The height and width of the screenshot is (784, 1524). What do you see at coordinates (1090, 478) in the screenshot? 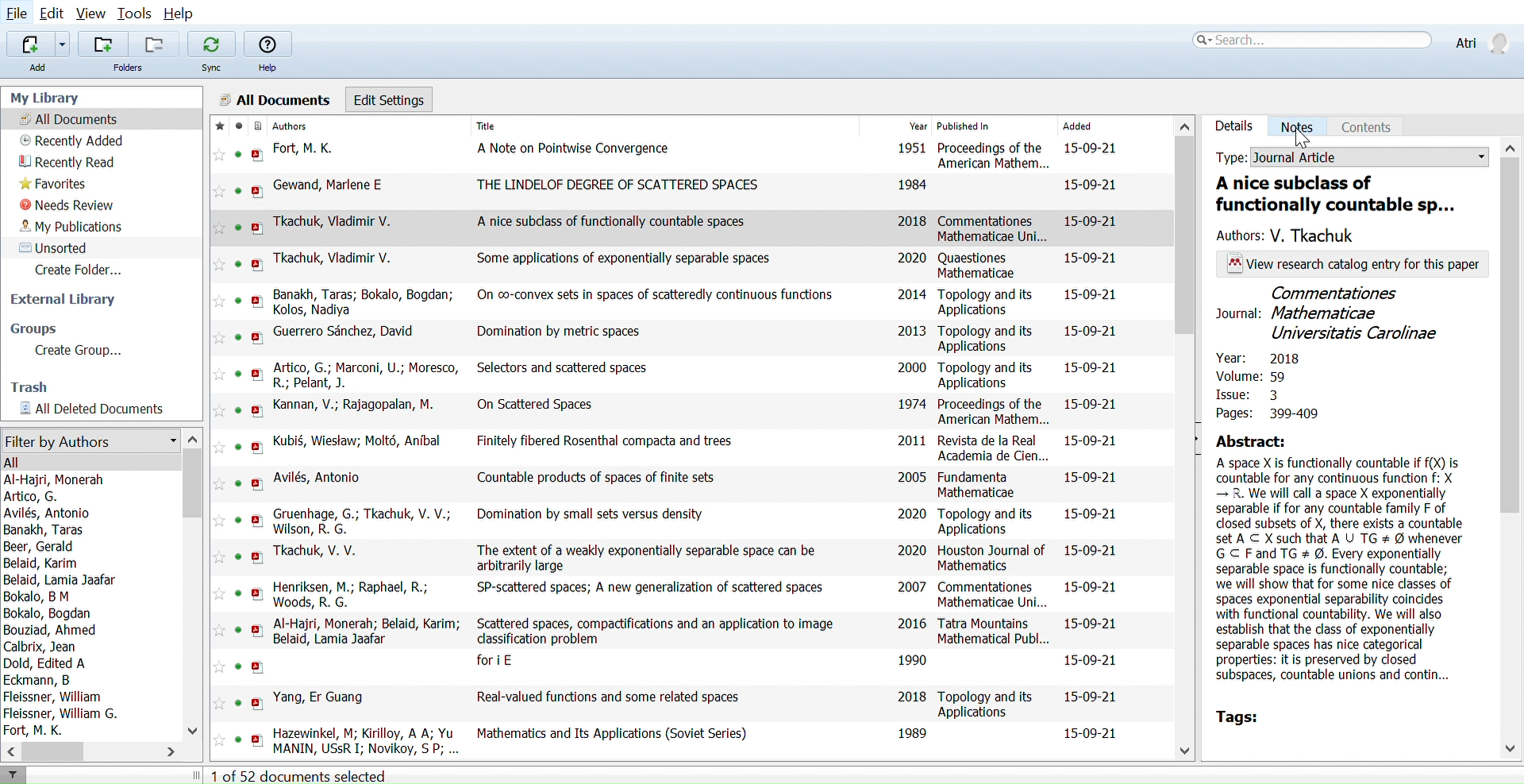
I see `15-09-21` at bounding box center [1090, 478].